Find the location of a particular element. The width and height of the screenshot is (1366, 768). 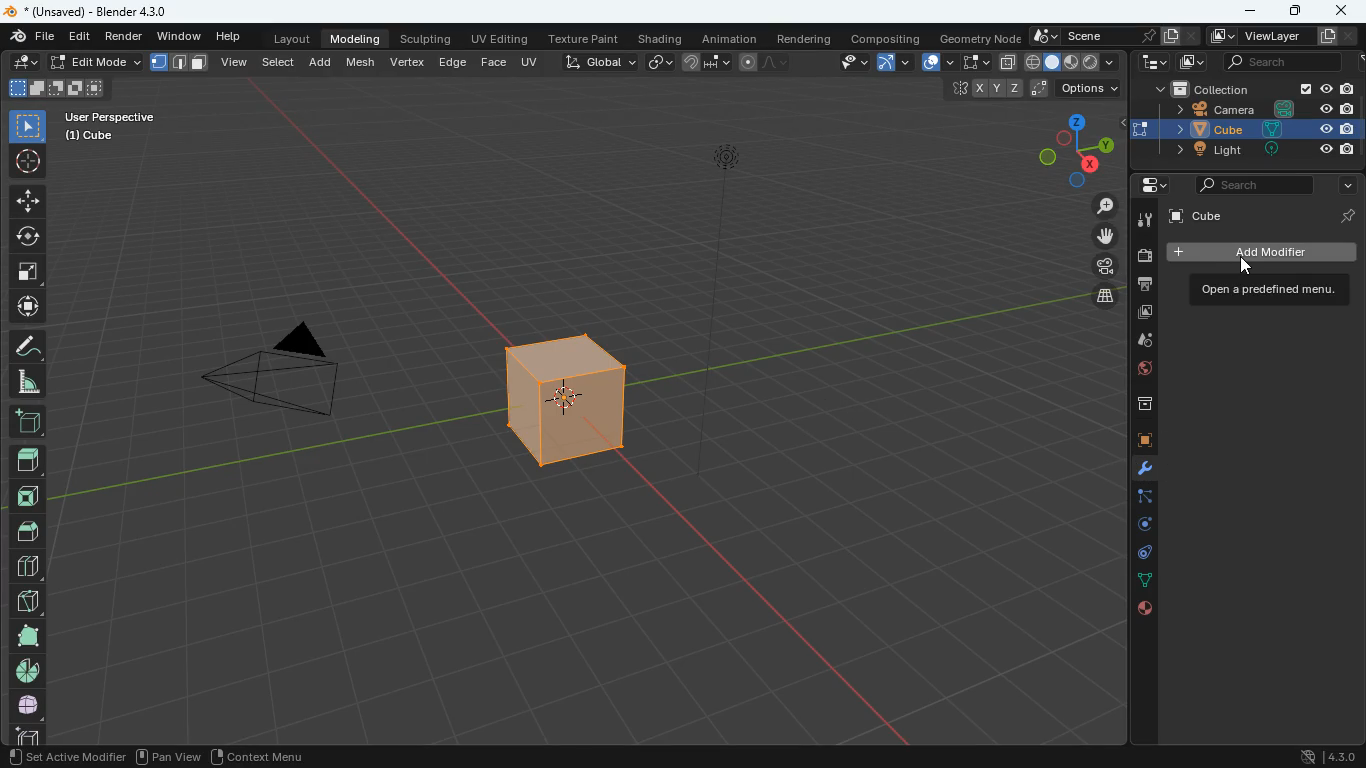

light is located at coordinates (1256, 150).